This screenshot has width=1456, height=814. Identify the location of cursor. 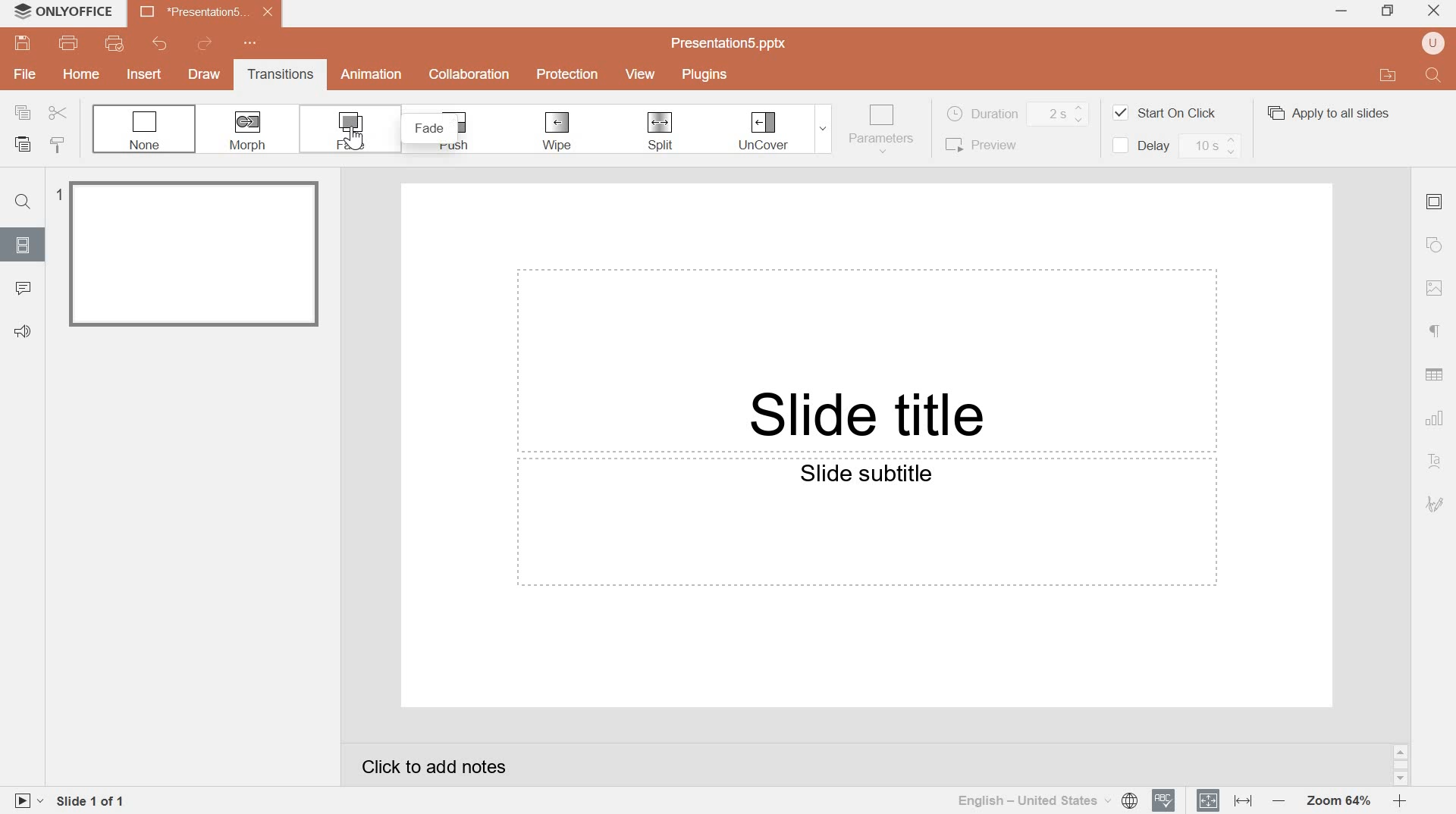
(355, 137).